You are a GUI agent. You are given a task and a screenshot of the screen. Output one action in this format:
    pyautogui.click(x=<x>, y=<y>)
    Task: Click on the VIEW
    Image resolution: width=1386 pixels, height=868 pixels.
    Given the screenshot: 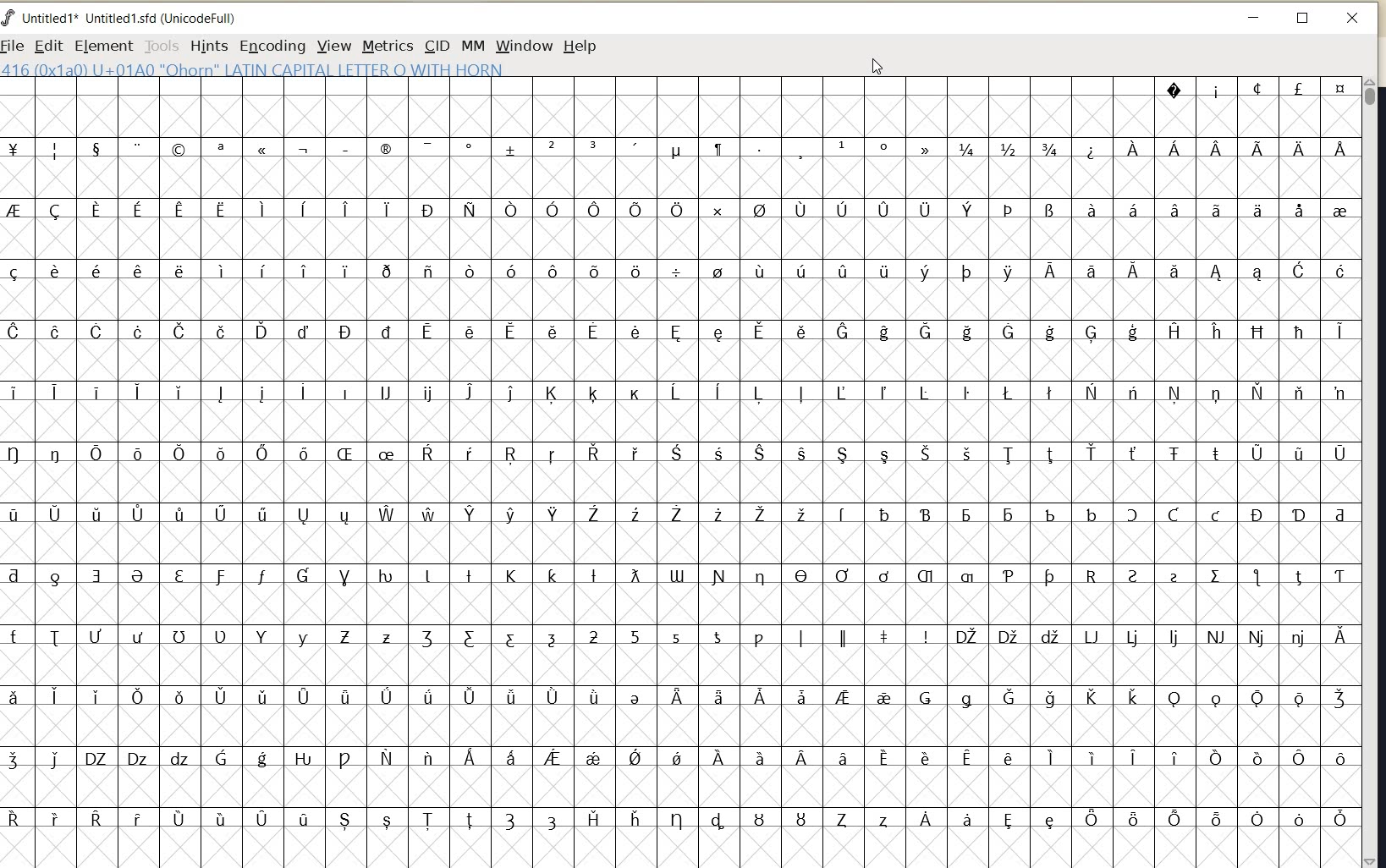 What is the action you would take?
    pyautogui.click(x=335, y=46)
    